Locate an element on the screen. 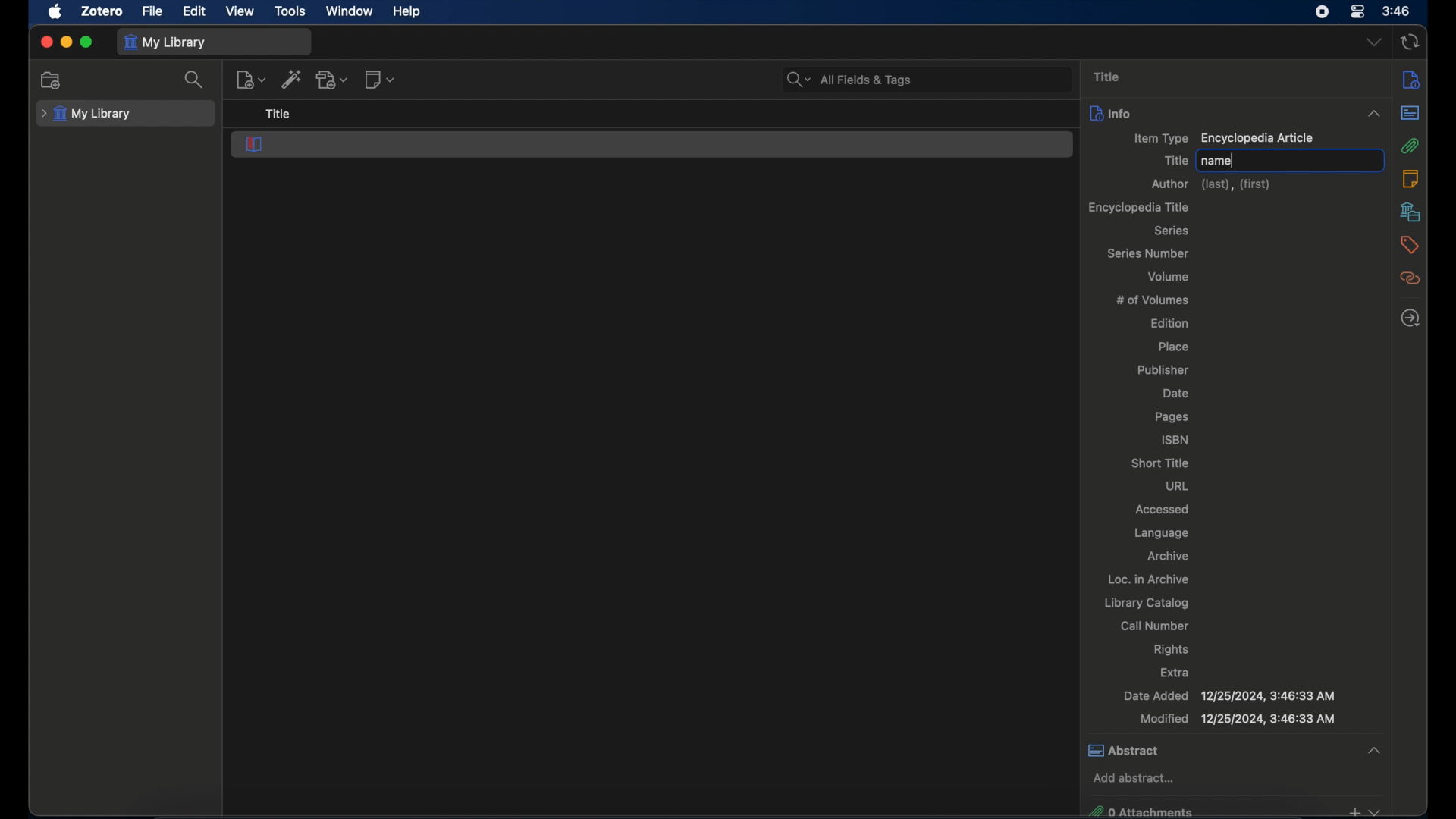 The image size is (1456, 819). date is located at coordinates (1175, 394).